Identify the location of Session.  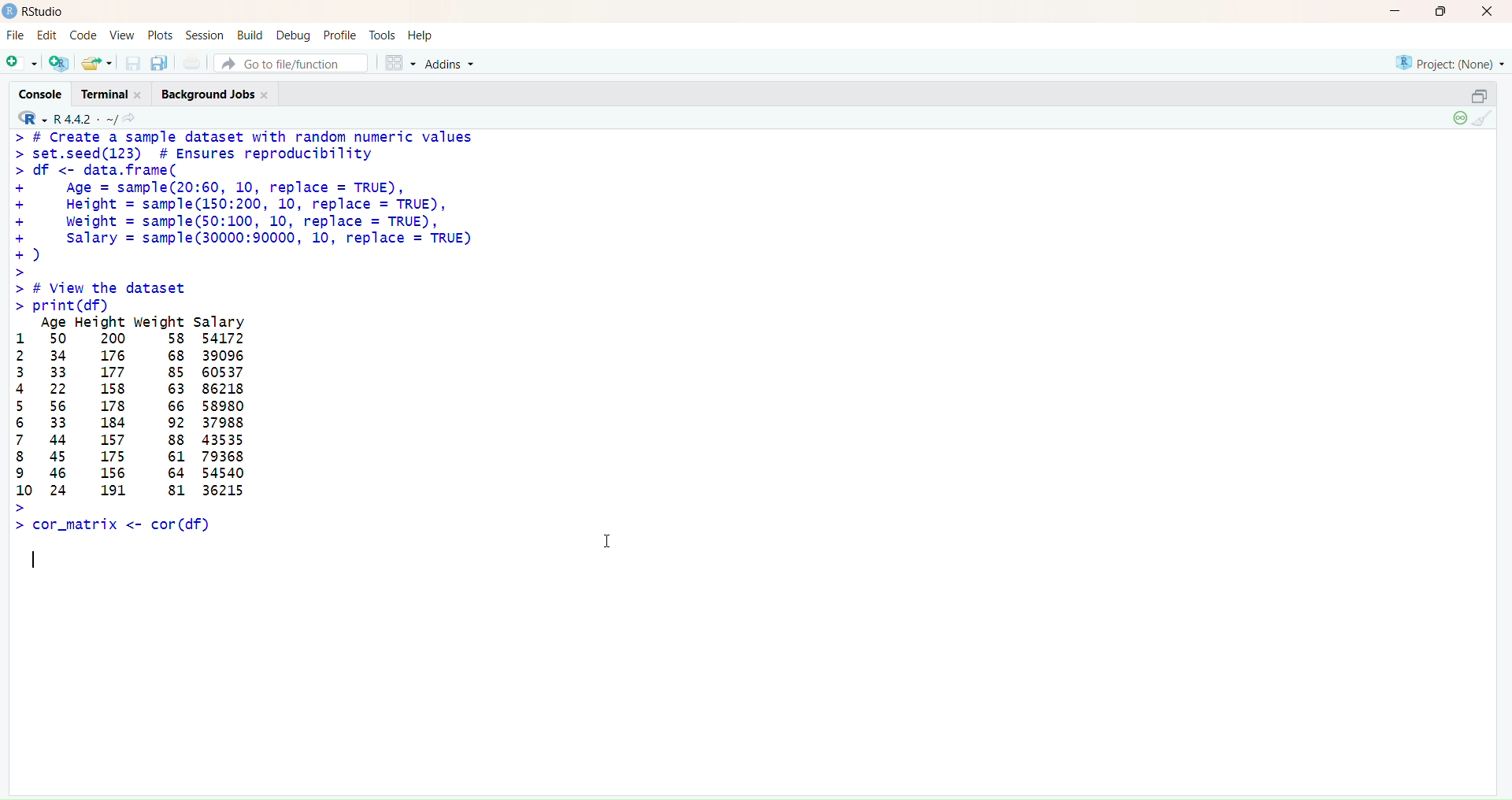
(206, 35).